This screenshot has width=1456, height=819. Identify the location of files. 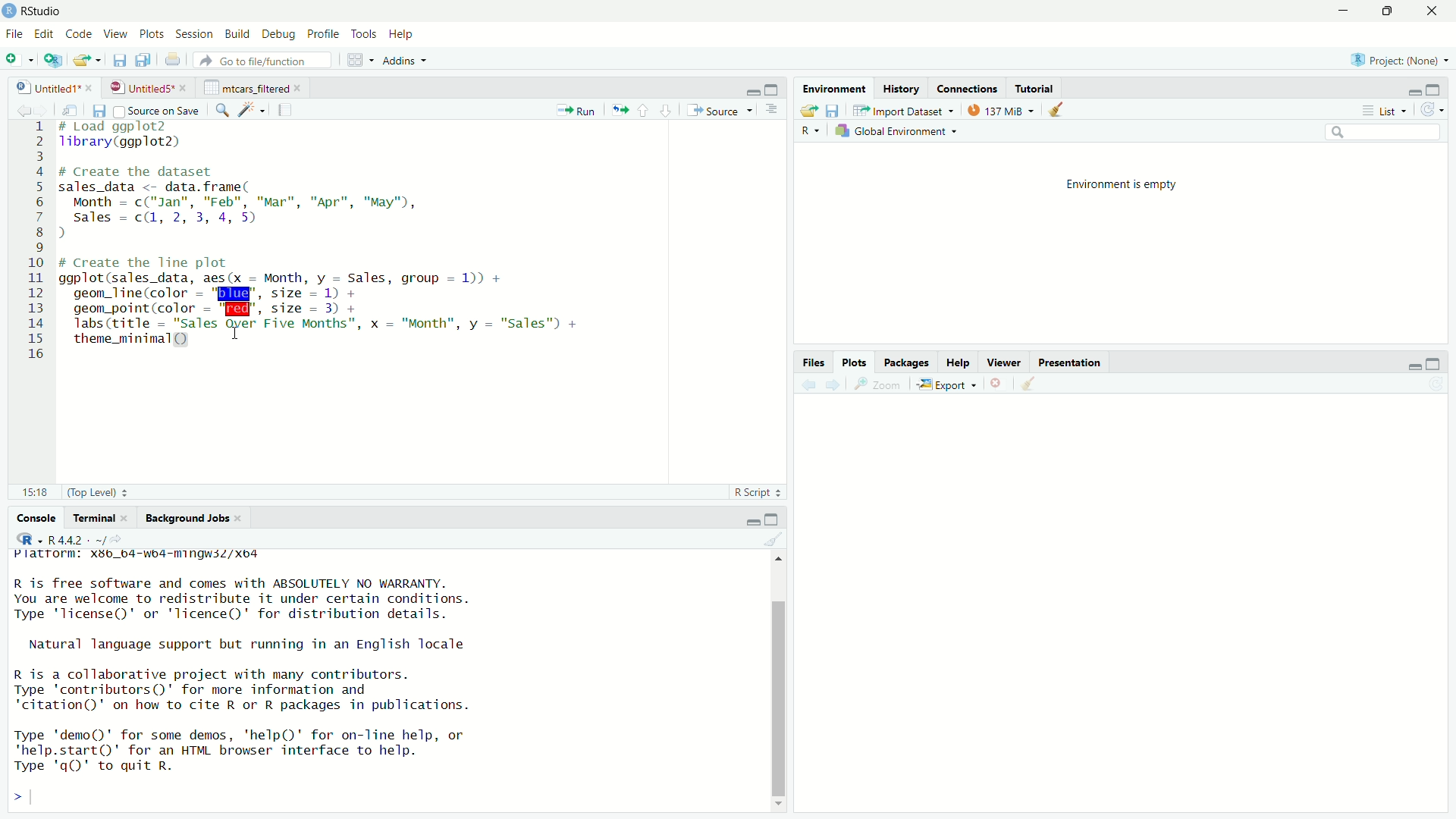
(816, 363).